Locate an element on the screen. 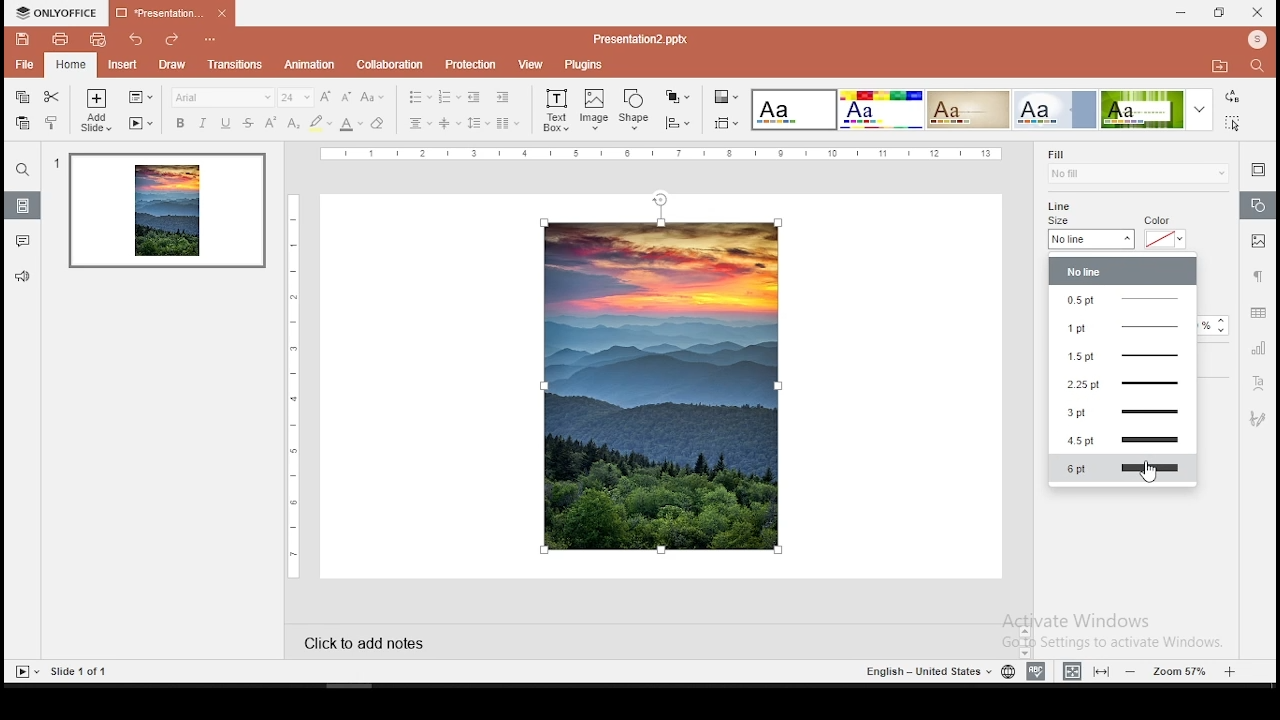 This screenshot has width=1280, height=720. 2.25 pt is located at coordinates (1123, 384).